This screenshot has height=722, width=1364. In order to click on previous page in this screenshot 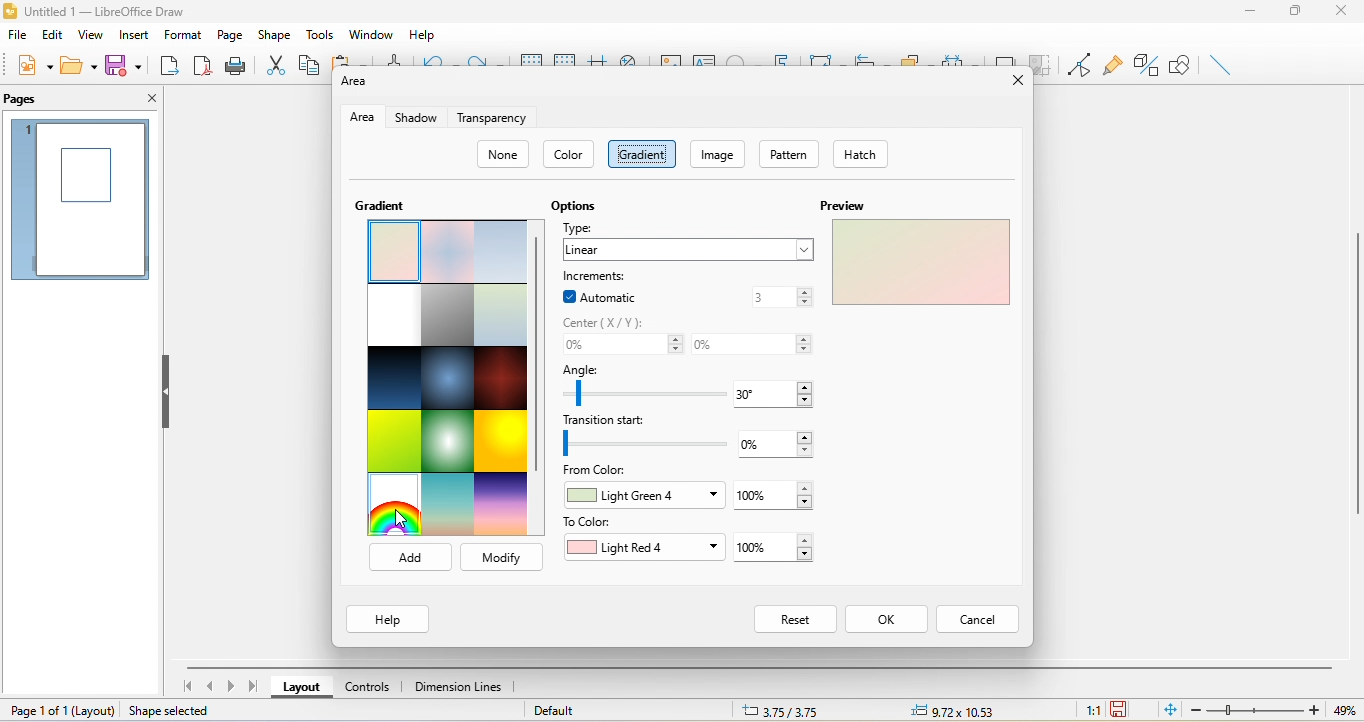, I will do `click(208, 686)`.